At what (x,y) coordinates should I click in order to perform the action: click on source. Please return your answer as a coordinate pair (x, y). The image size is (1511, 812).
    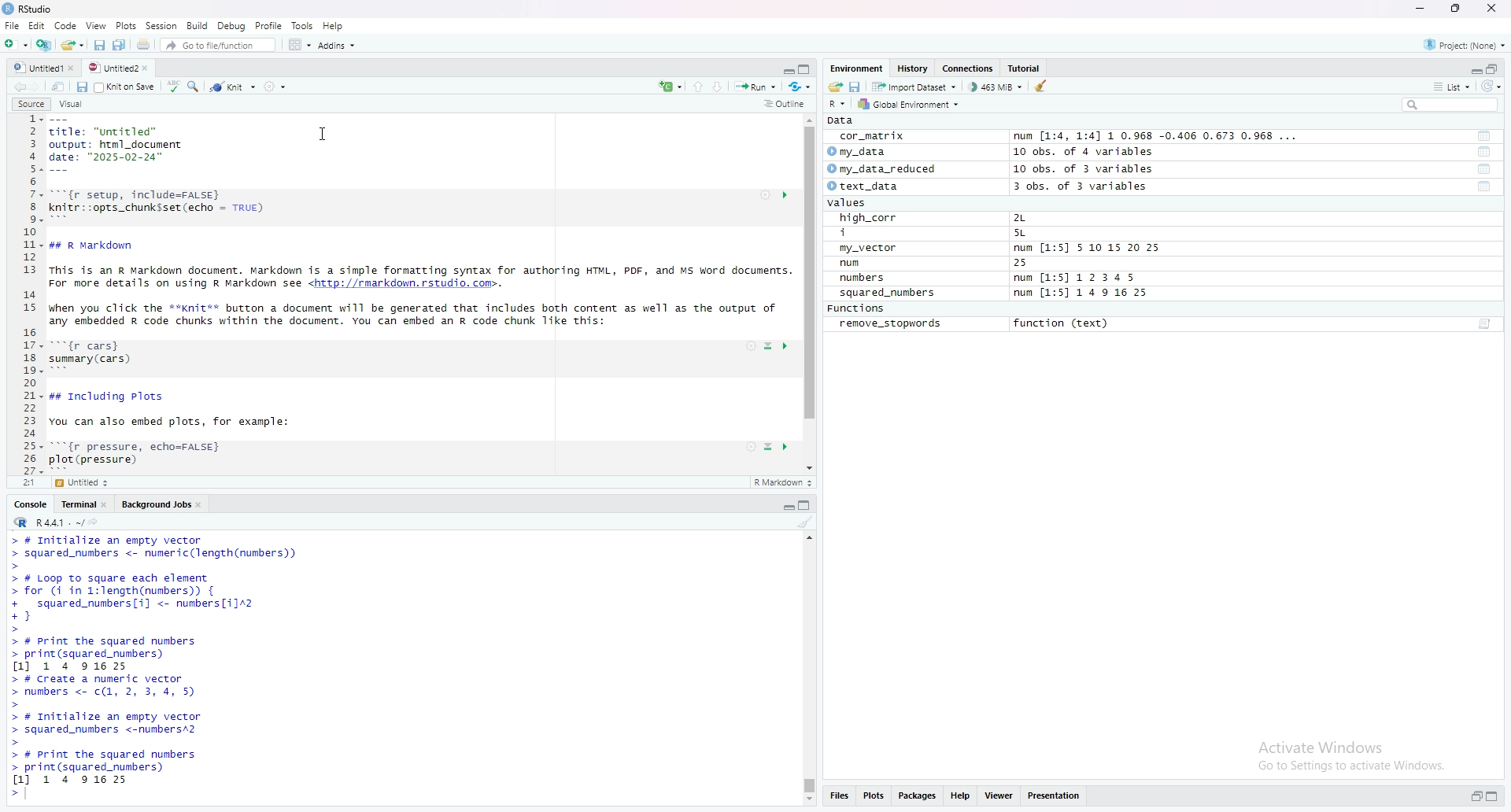
    Looking at the image, I should click on (31, 103).